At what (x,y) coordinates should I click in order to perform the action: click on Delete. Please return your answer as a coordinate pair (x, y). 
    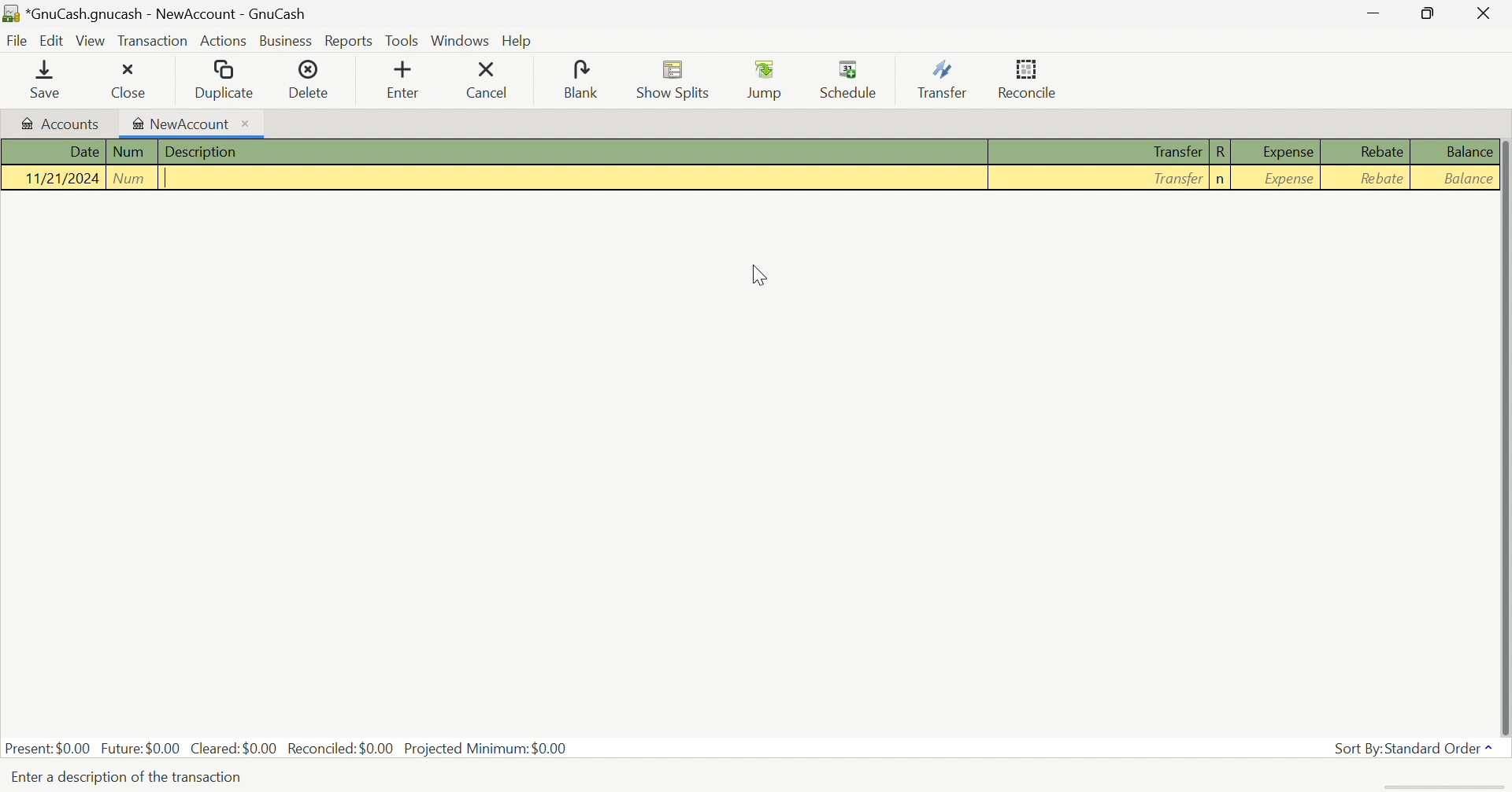
    Looking at the image, I should click on (313, 80).